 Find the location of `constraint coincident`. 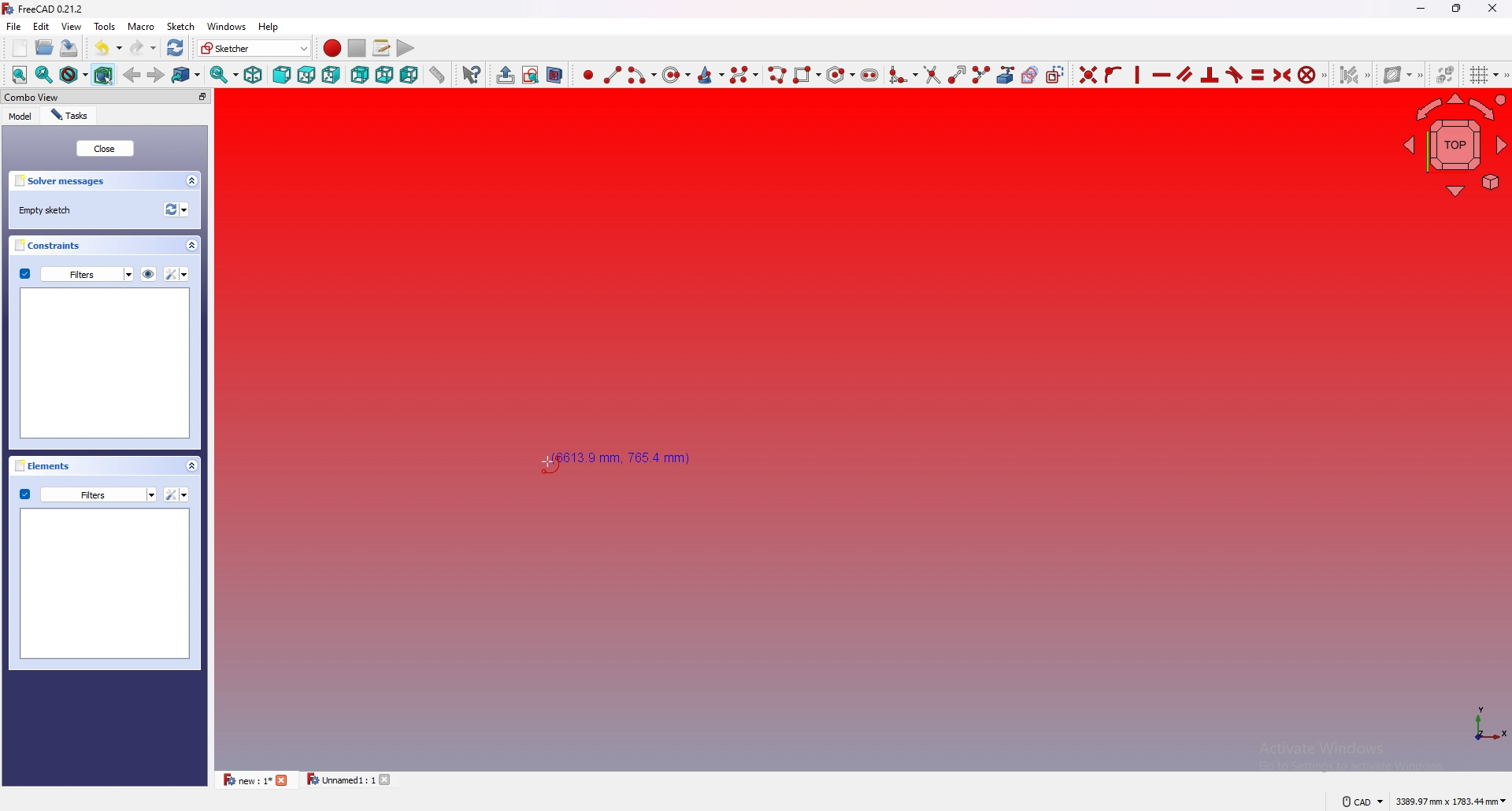

constraint coincident is located at coordinates (1088, 75).